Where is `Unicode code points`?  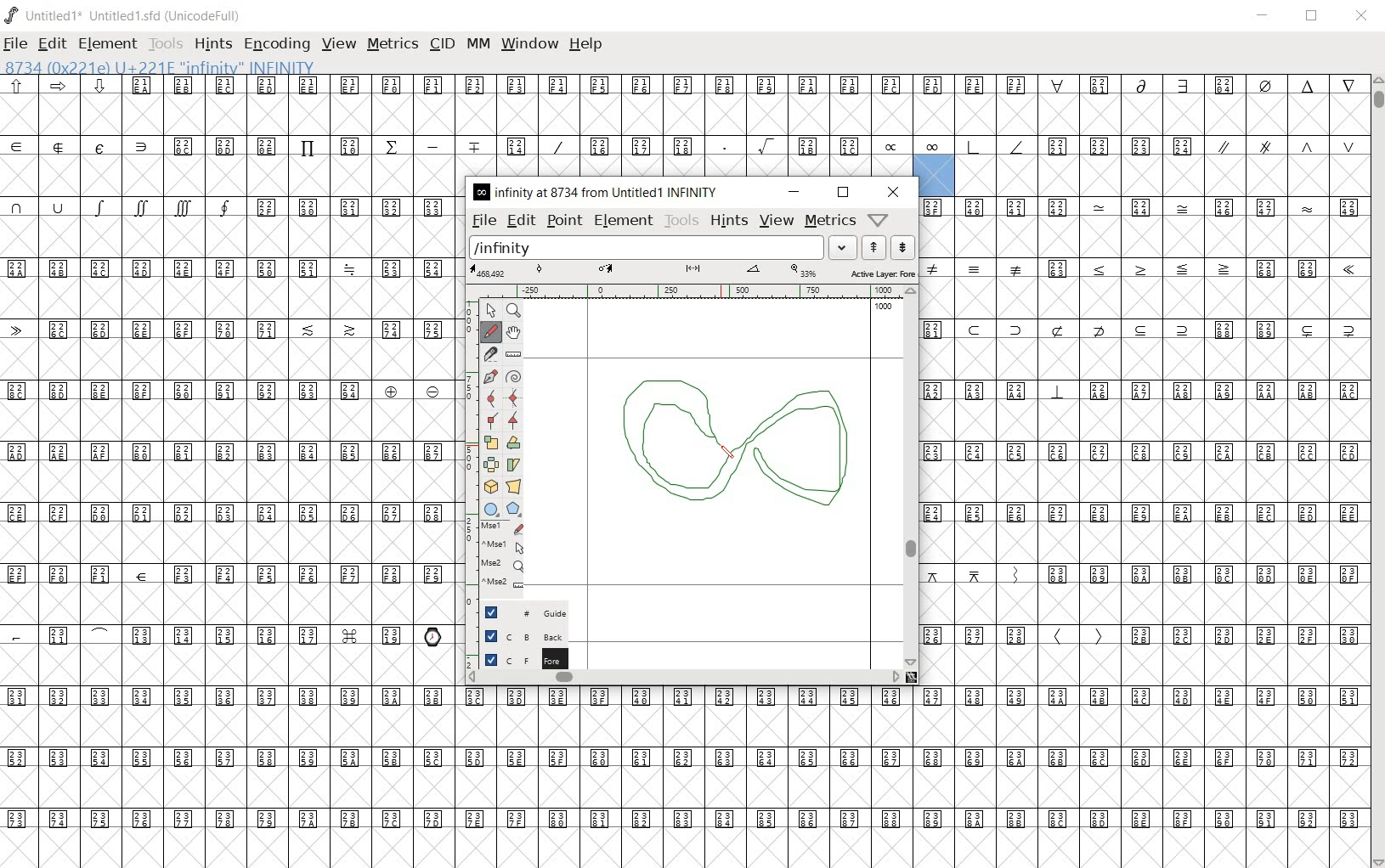
Unicode code points is located at coordinates (229, 268).